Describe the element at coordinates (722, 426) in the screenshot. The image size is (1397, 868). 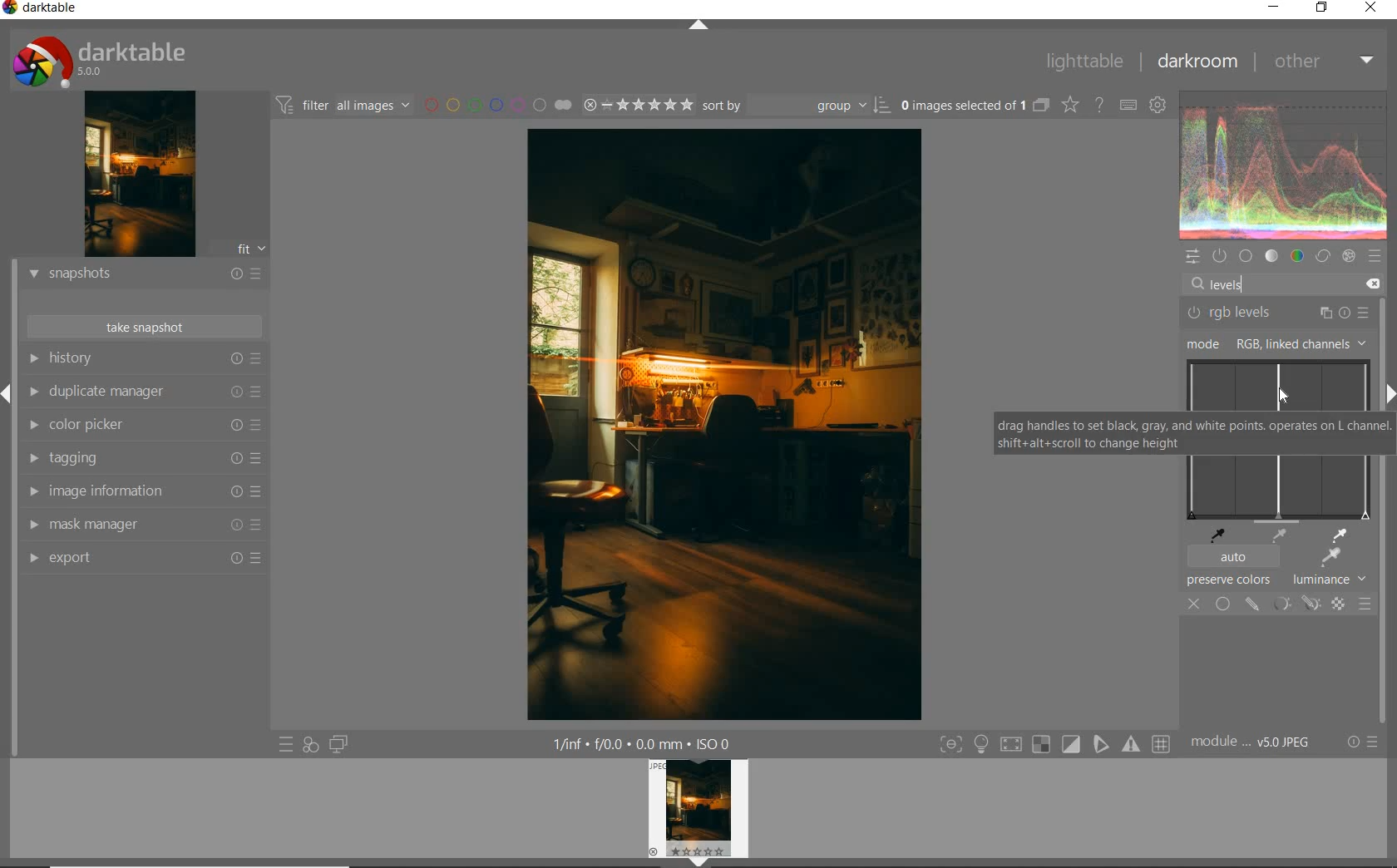
I see `selected image` at that location.